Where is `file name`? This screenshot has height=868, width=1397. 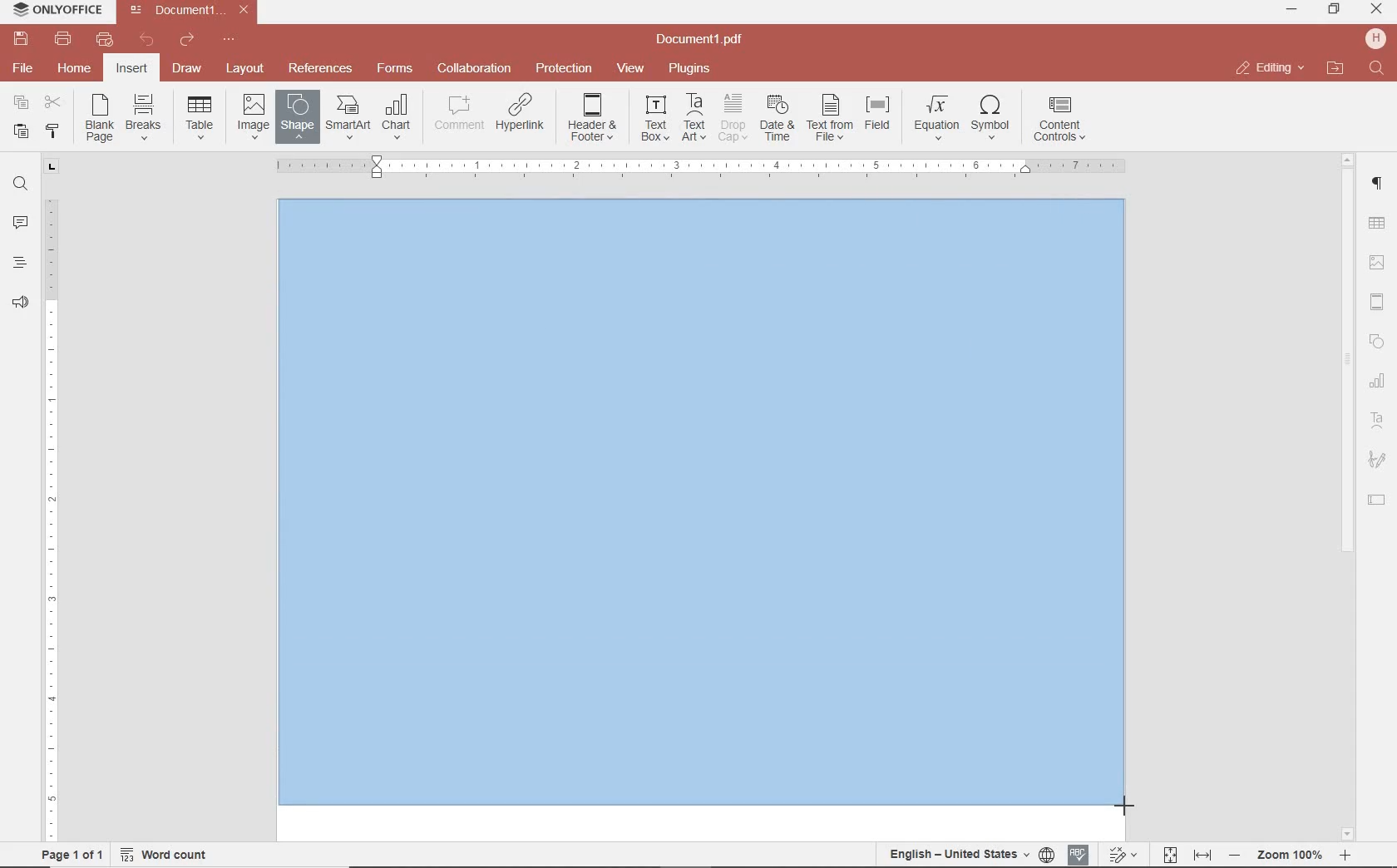 file name is located at coordinates (193, 10).